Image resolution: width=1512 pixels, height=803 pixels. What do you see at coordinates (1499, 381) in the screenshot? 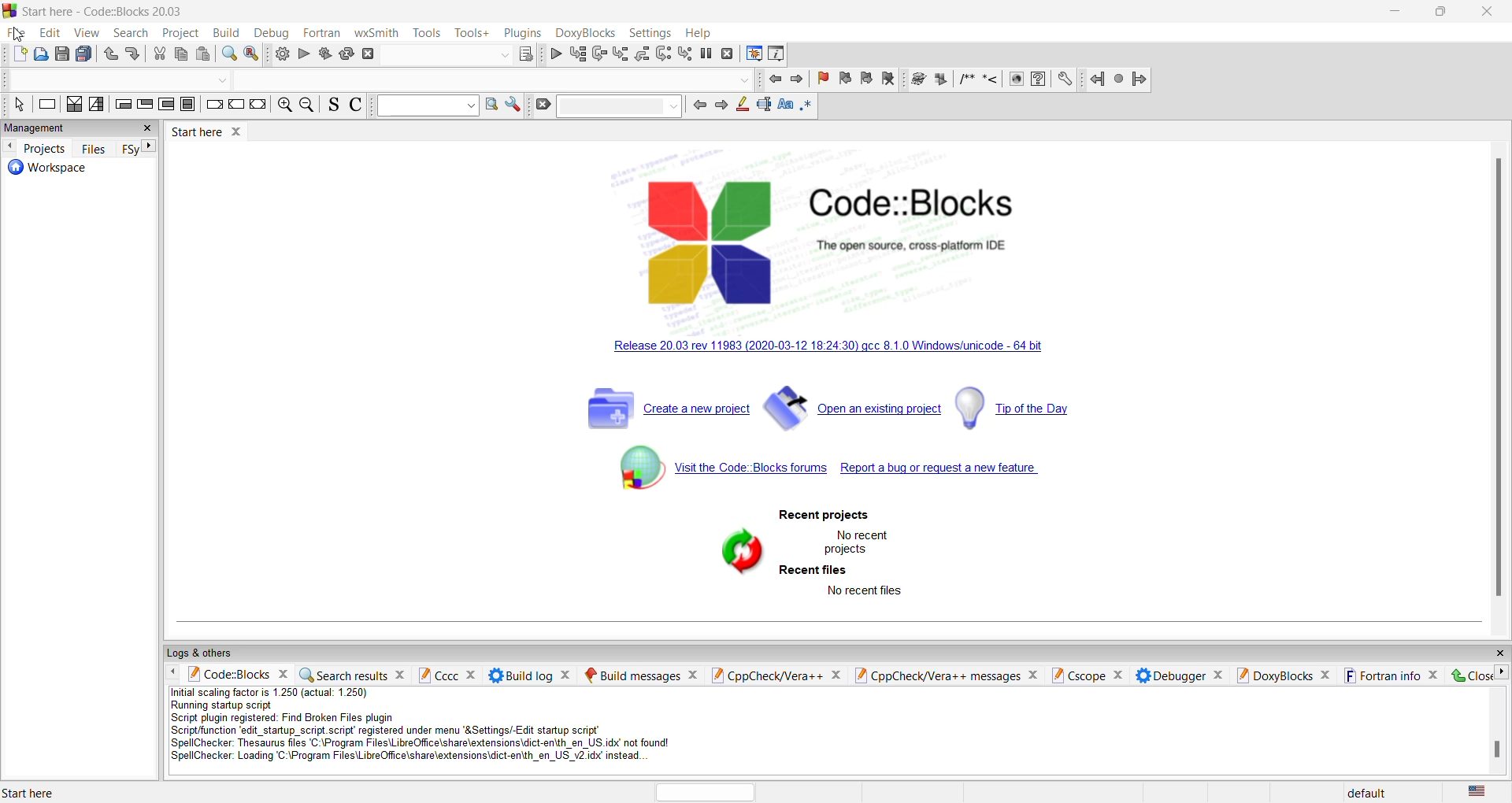
I see `scrollbar` at bounding box center [1499, 381].